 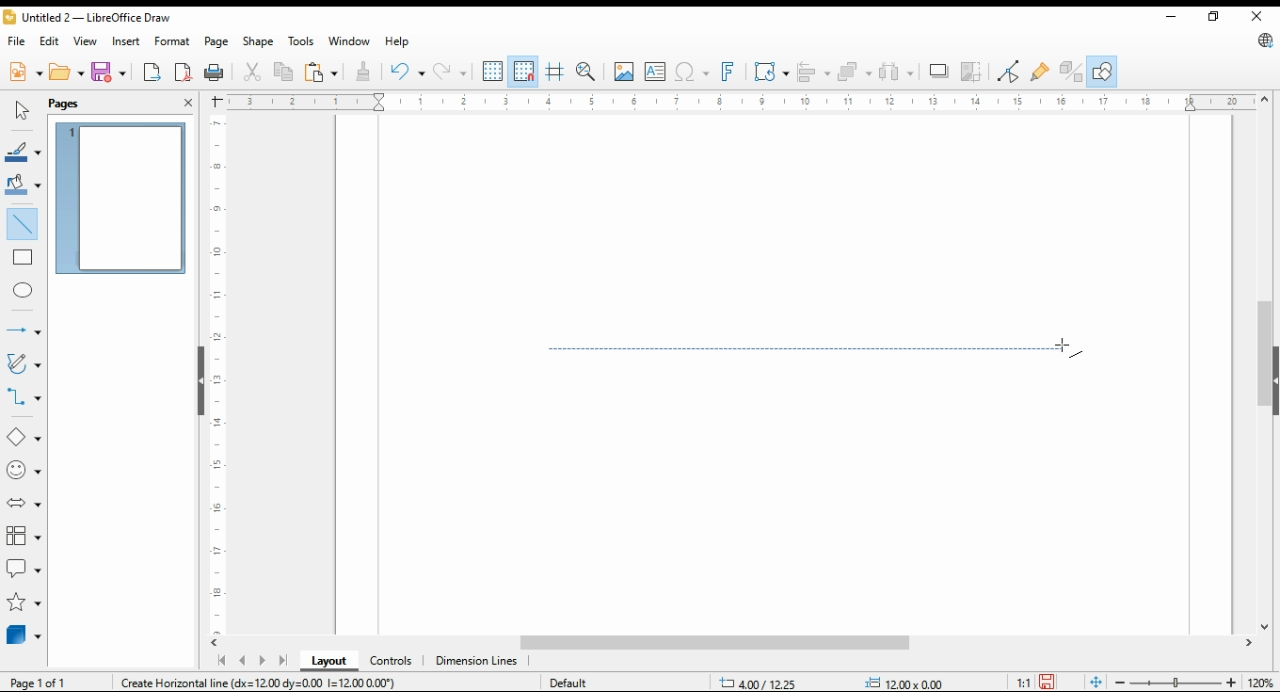 I want to click on align objects, so click(x=810, y=70).